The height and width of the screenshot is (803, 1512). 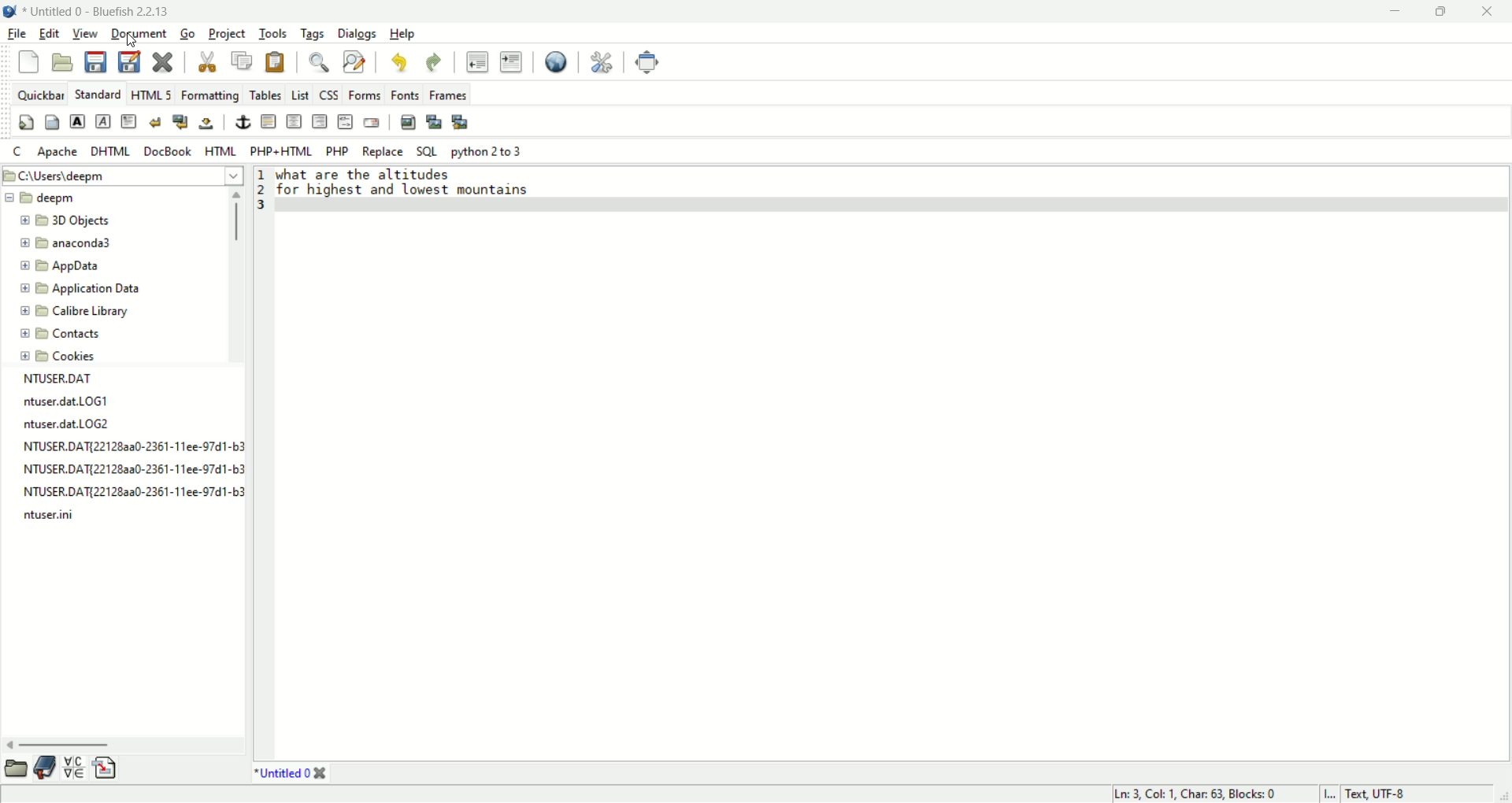 I want to click on insert images, so click(x=409, y=121).